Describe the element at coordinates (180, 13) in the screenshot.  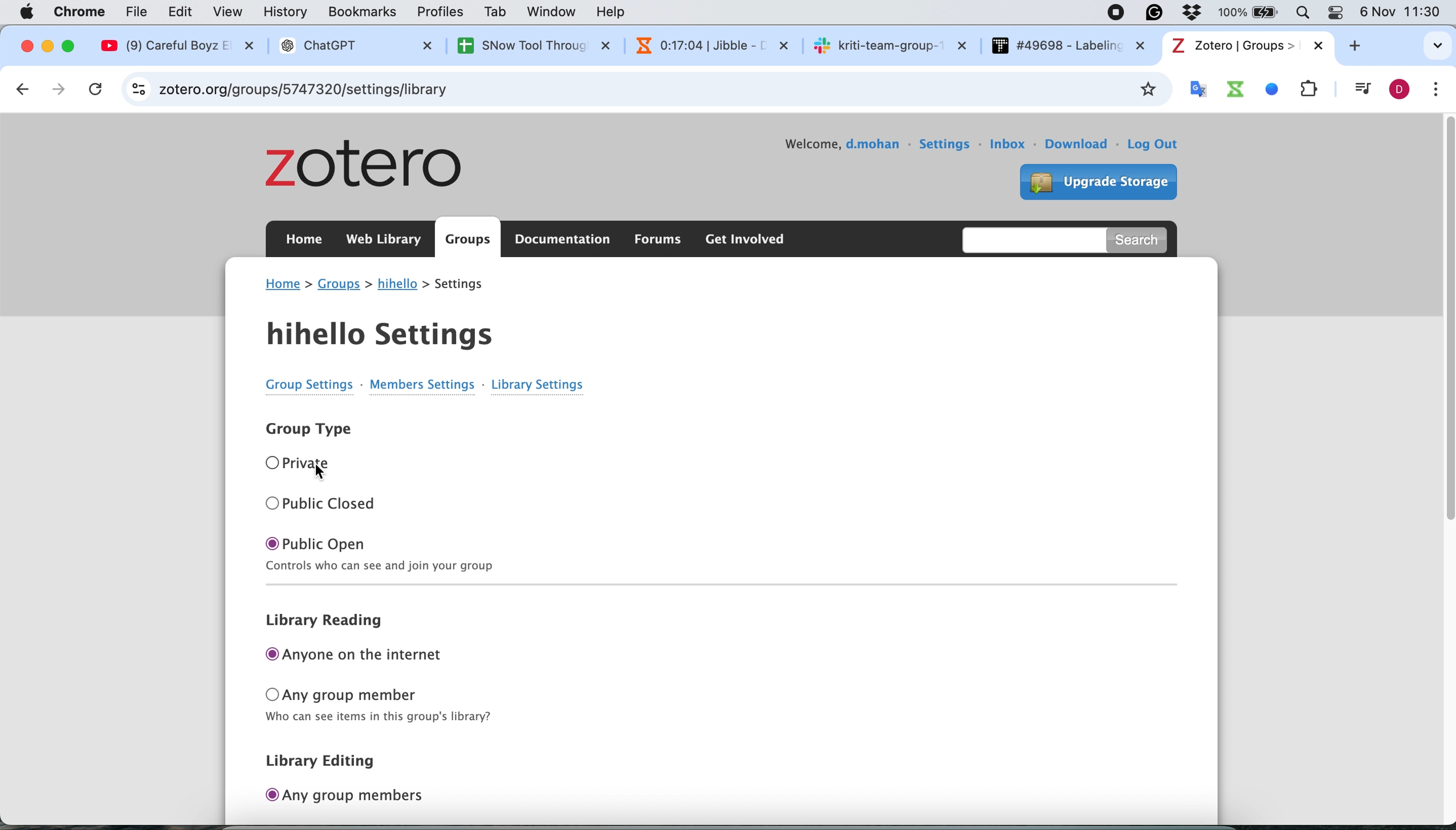
I see `edit` at that location.